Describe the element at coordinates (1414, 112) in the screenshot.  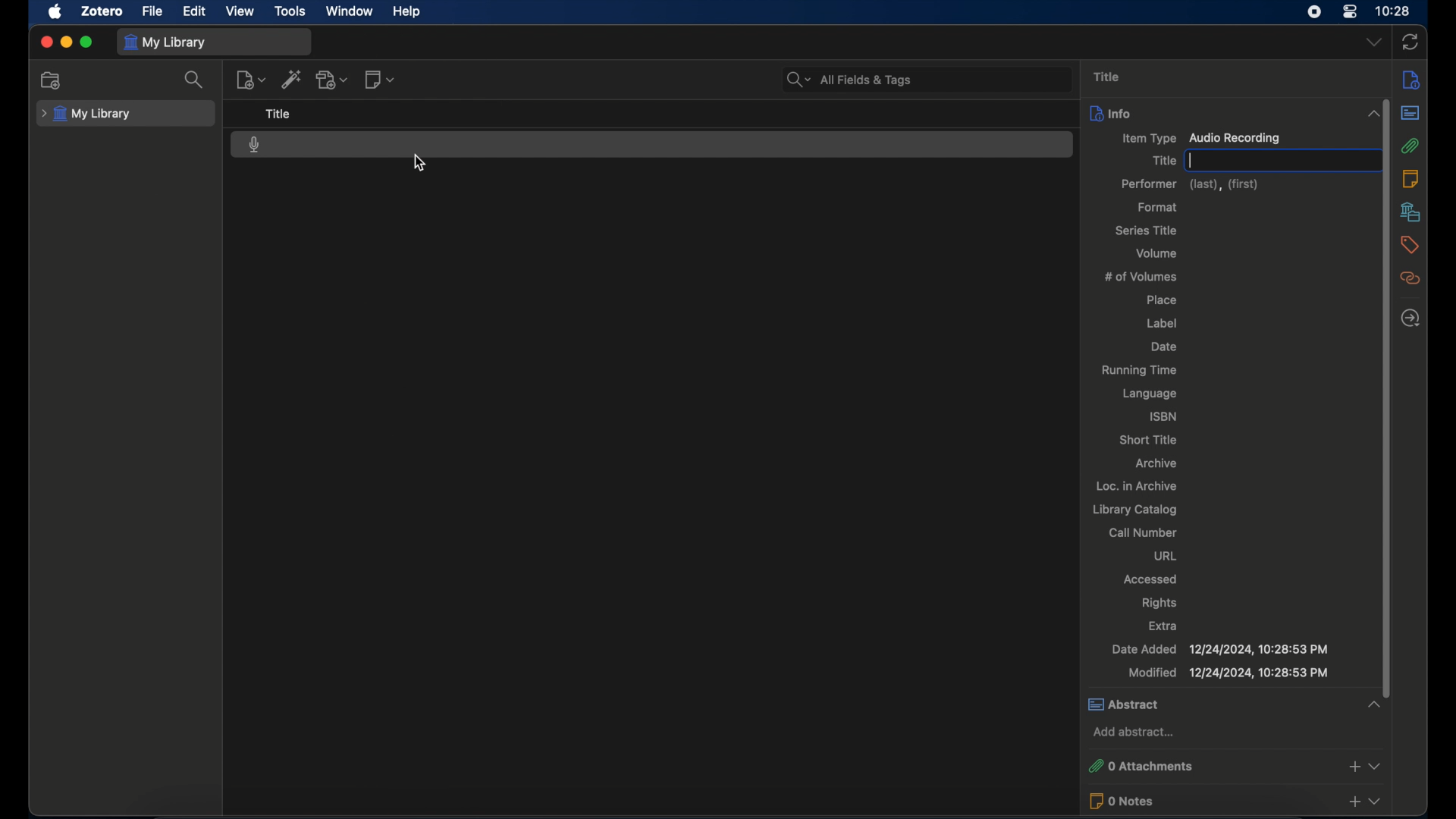
I see `abstract` at that location.